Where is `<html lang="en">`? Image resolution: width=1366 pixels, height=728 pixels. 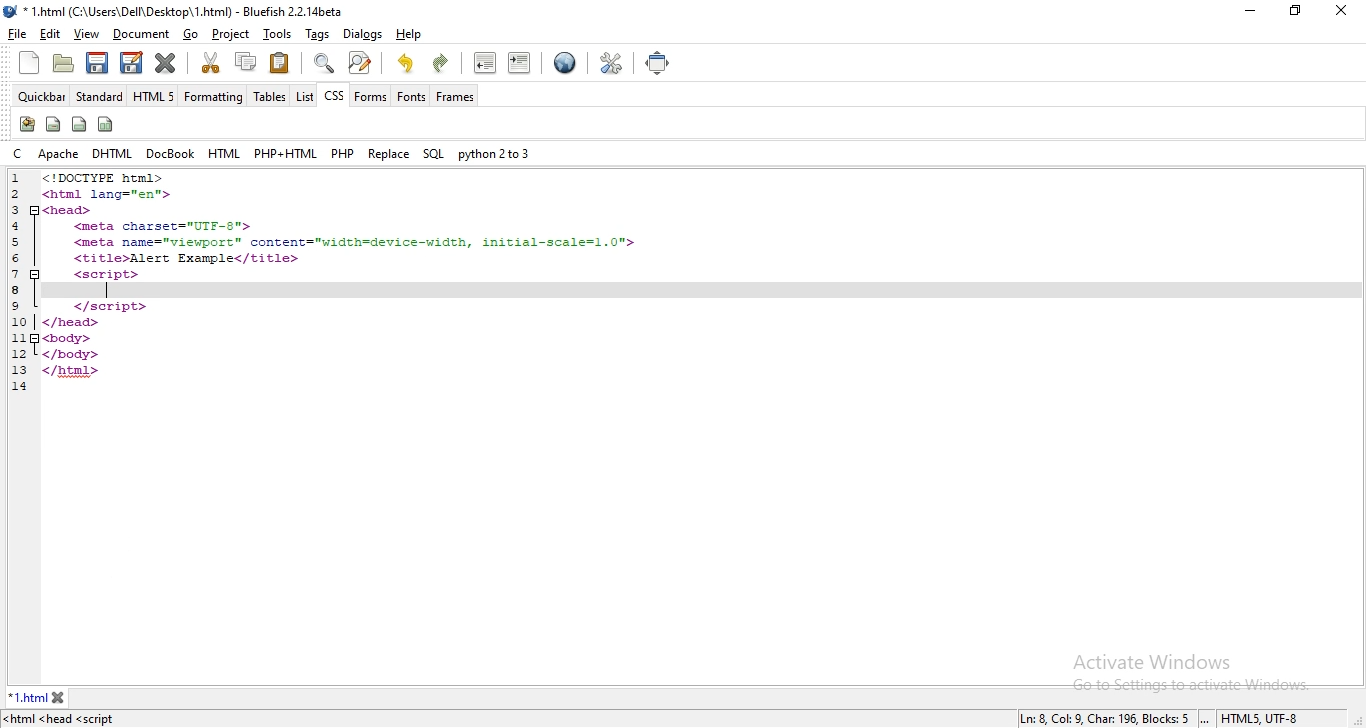 <html lang="en"> is located at coordinates (108, 193).